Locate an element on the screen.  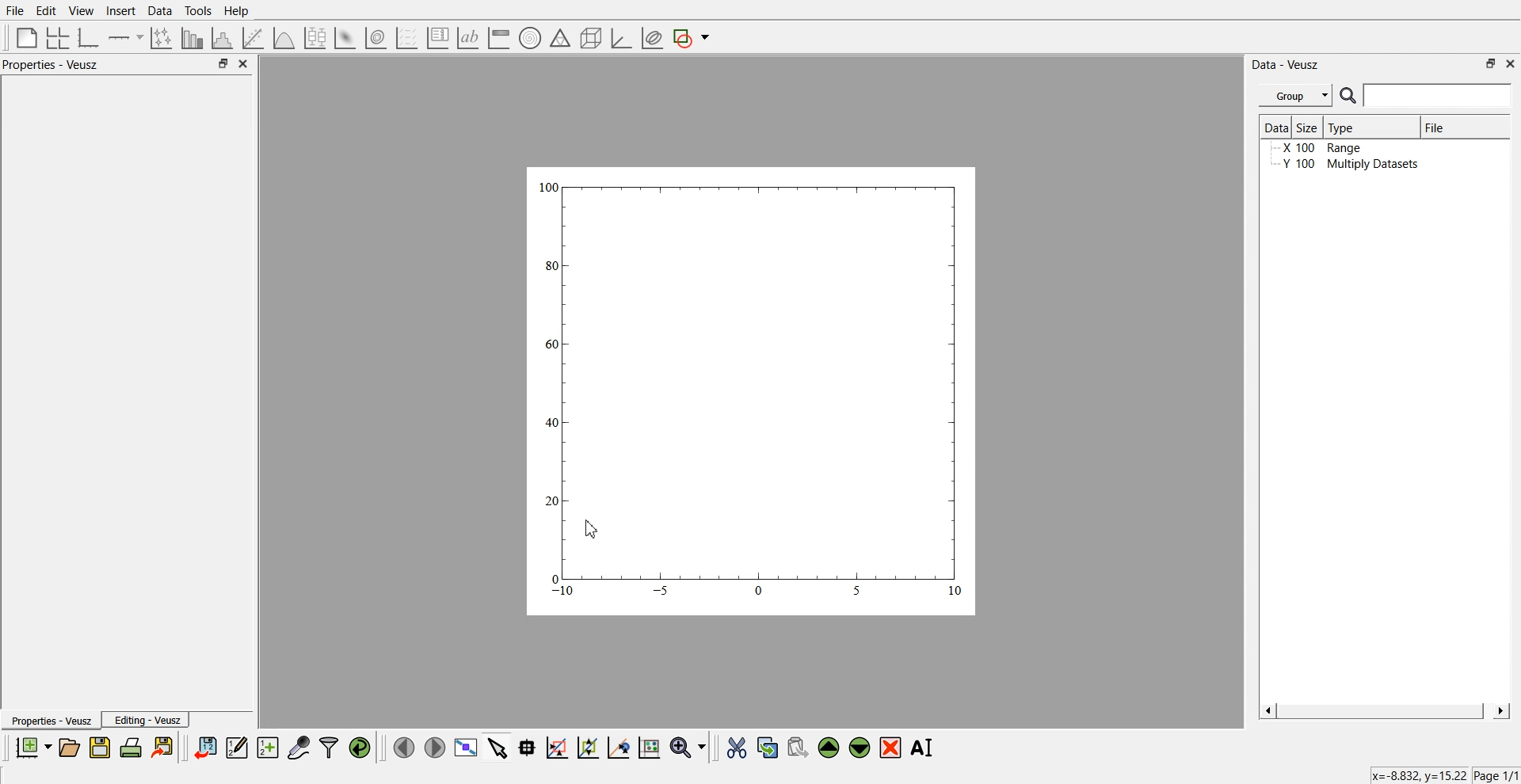
3d graph is located at coordinates (620, 39).